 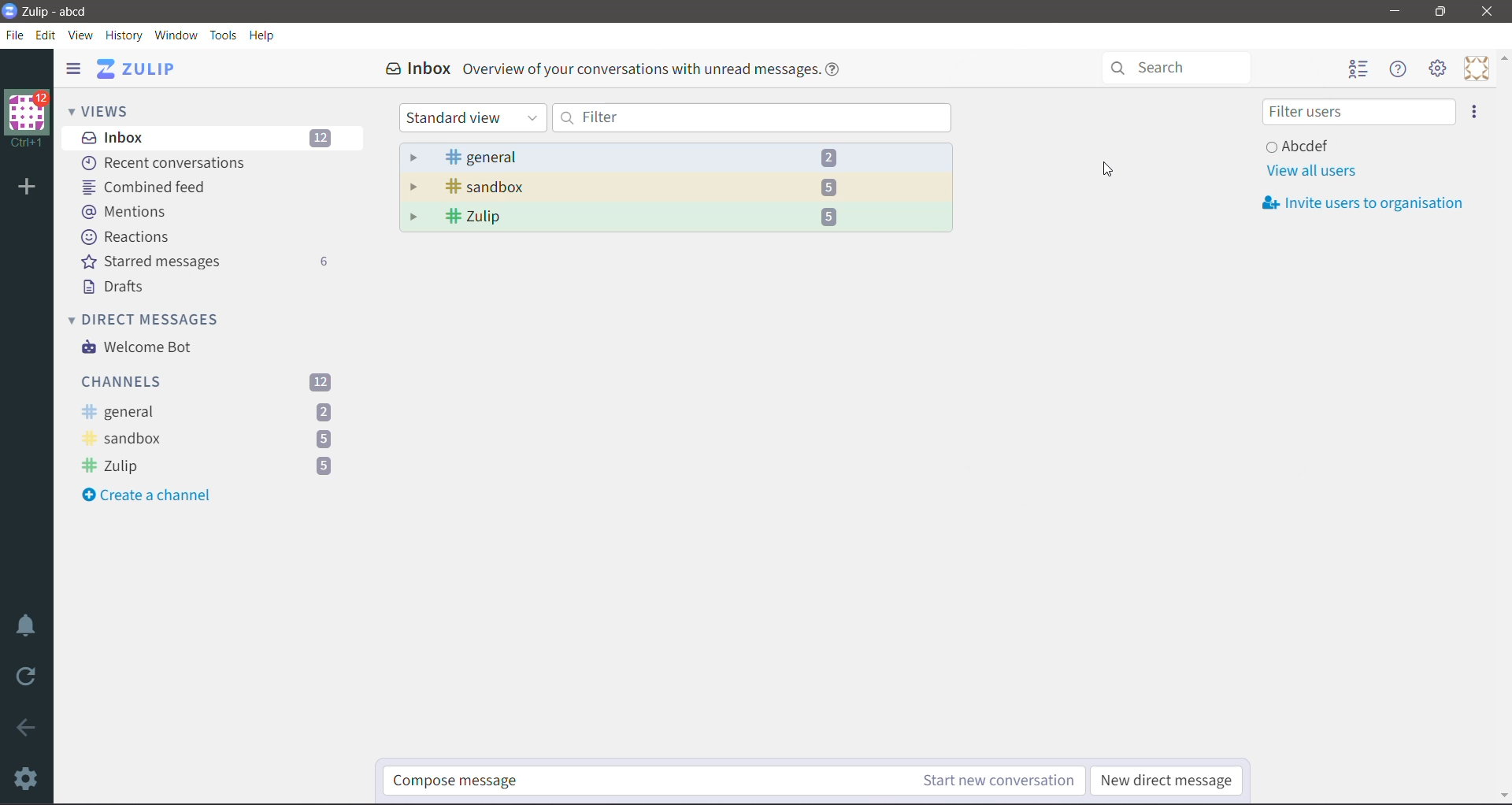 I want to click on cursor, so click(x=1104, y=169).